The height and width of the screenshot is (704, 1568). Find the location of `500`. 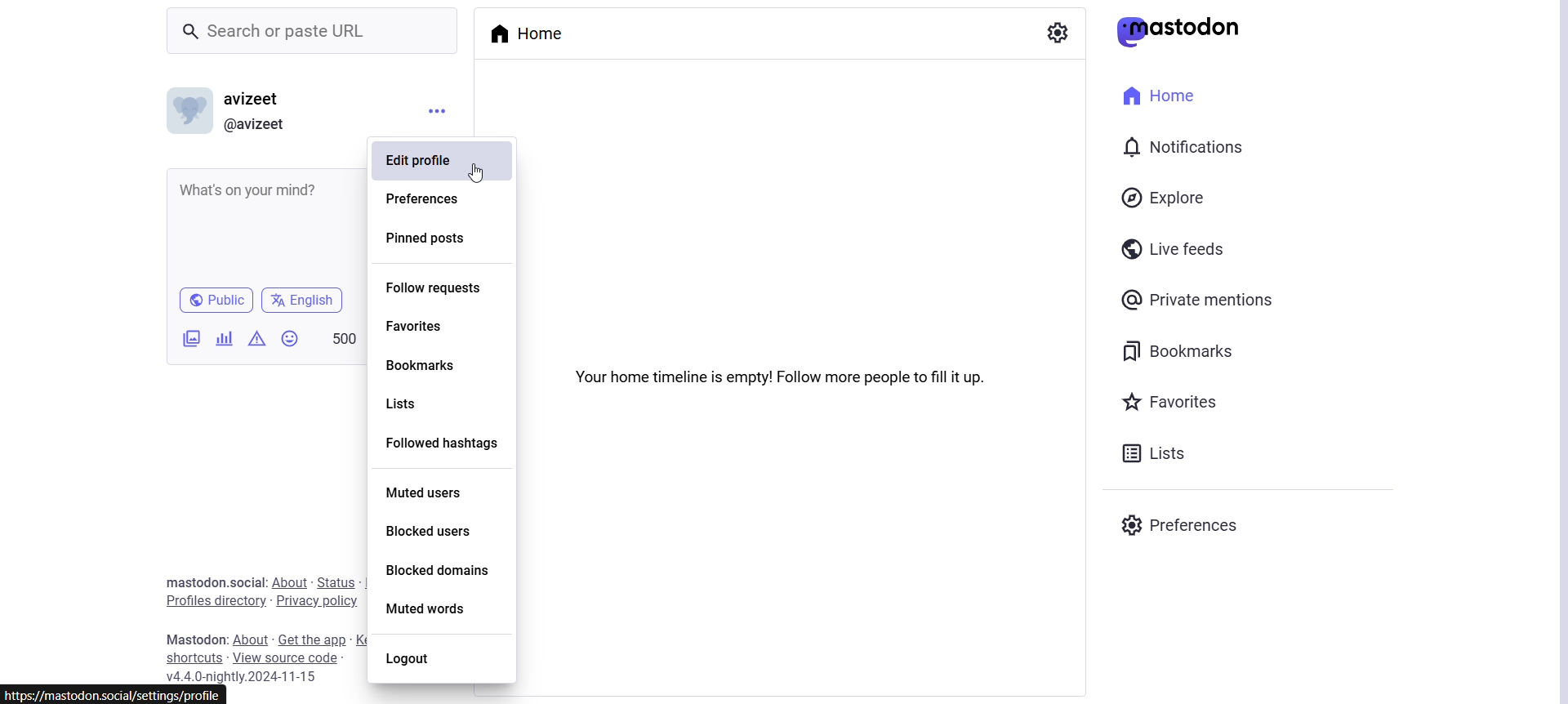

500 is located at coordinates (345, 337).